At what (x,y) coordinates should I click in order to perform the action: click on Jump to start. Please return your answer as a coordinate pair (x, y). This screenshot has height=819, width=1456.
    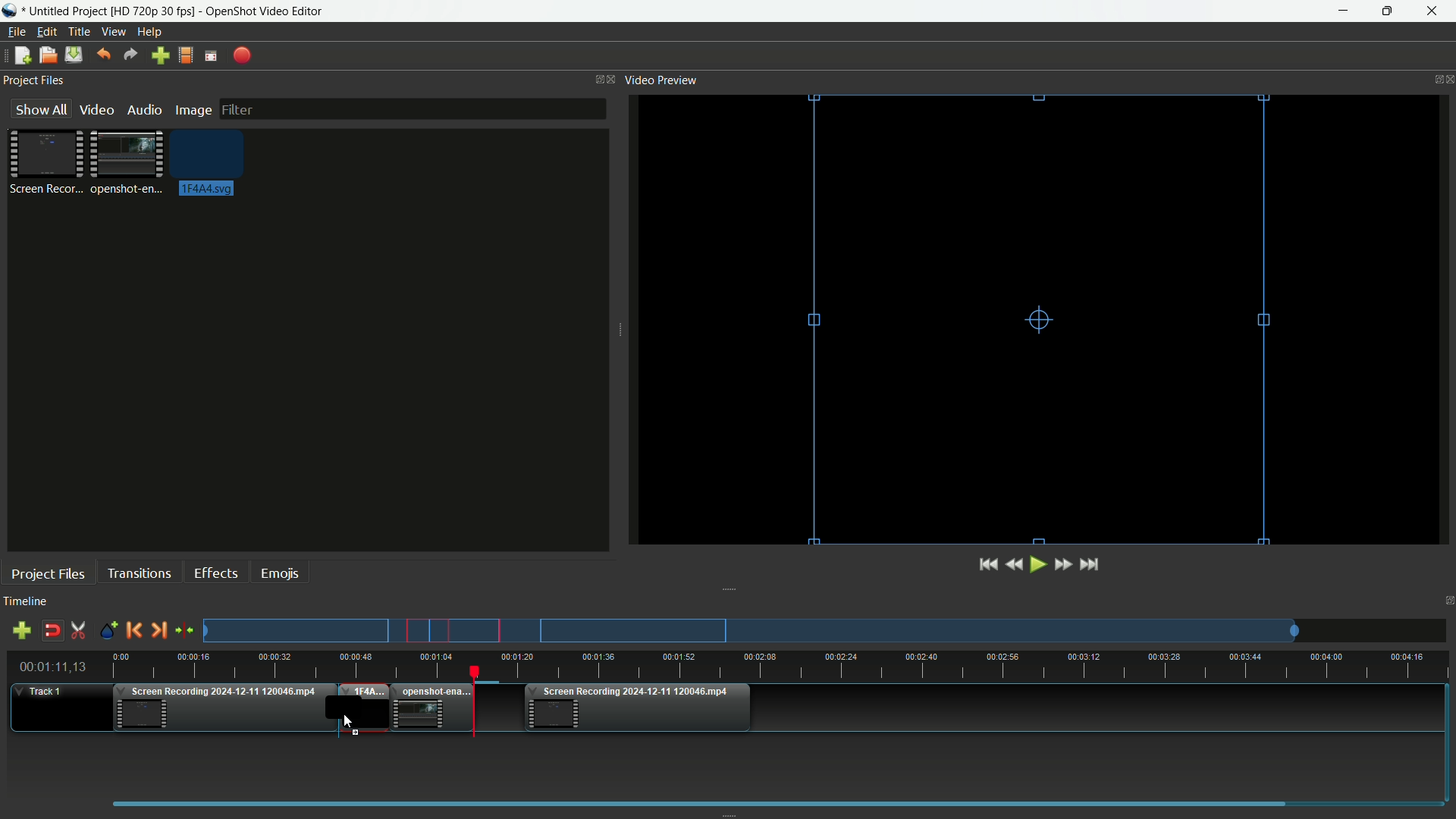
    Looking at the image, I should click on (986, 565).